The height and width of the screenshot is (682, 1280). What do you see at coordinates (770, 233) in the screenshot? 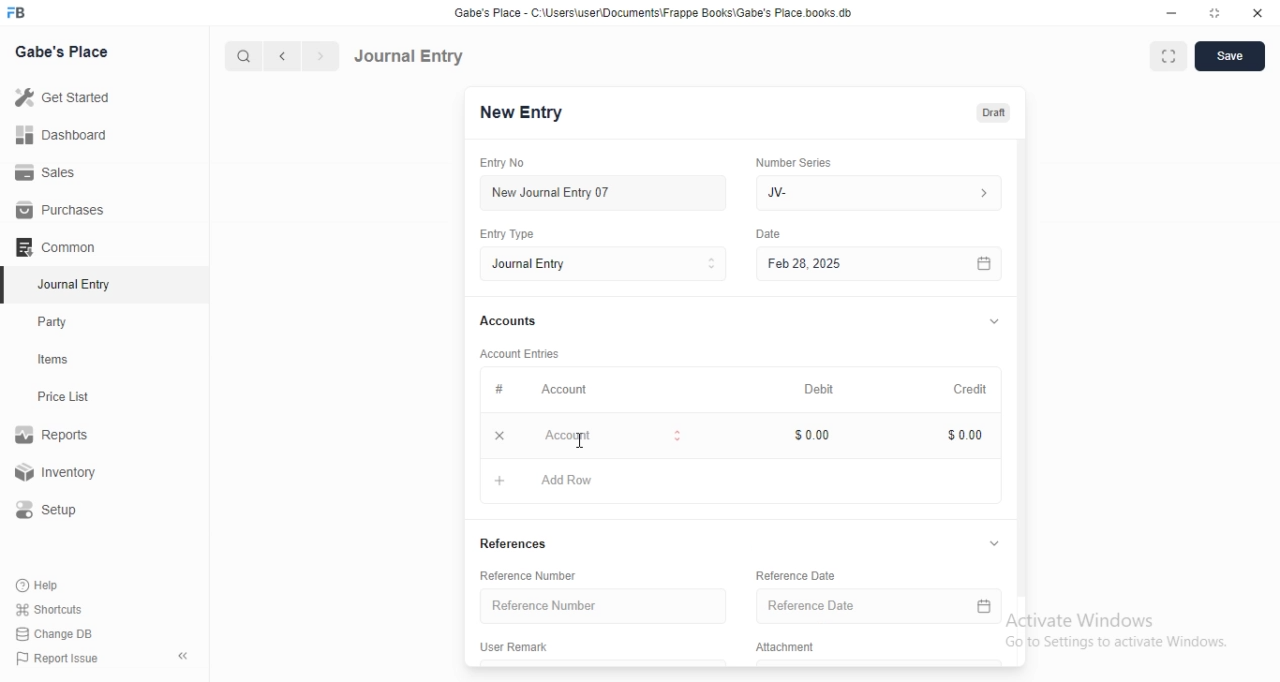
I see `Date` at bounding box center [770, 233].